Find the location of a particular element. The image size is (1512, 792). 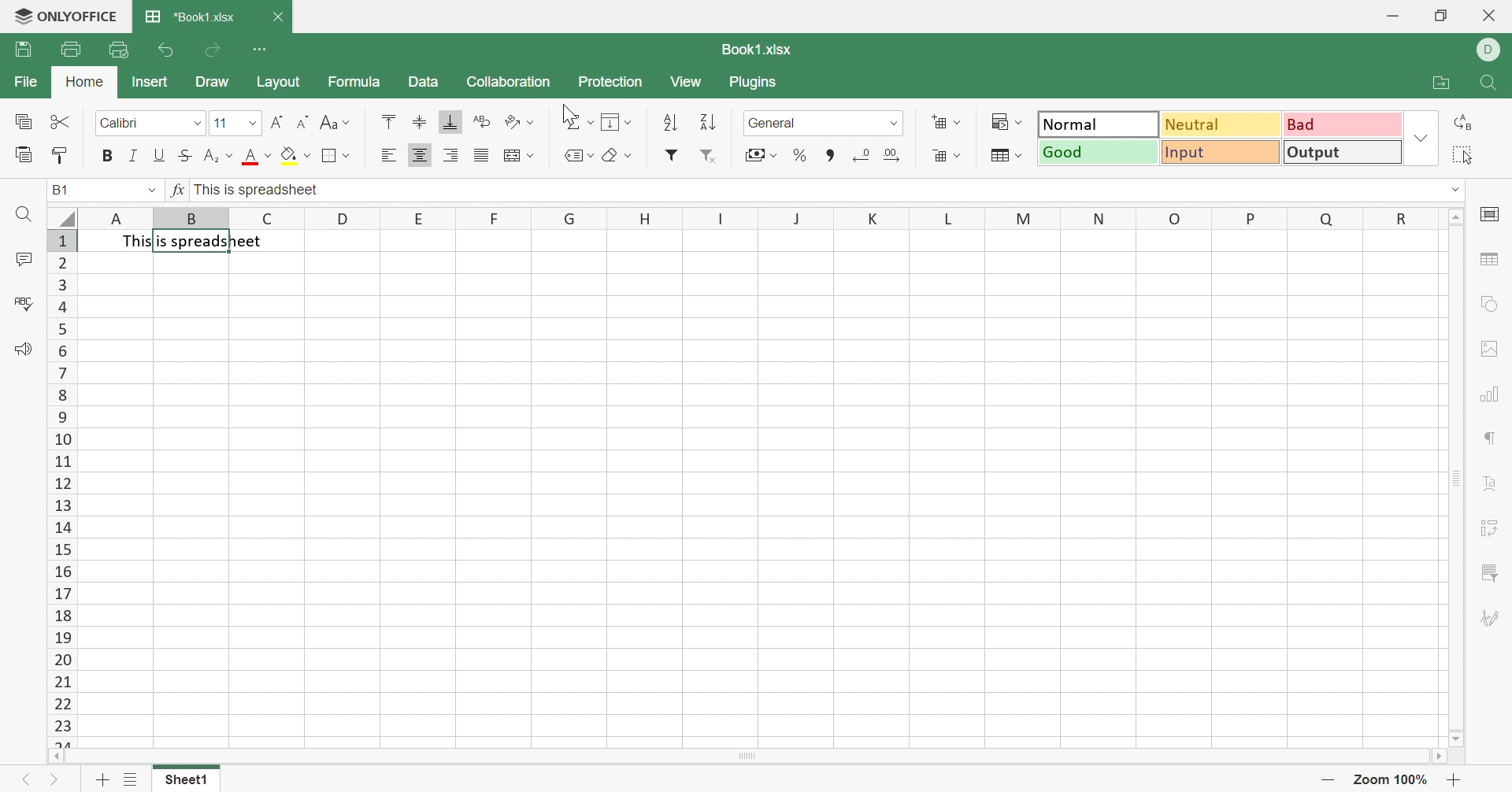

Summation is located at coordinates (570, 120).